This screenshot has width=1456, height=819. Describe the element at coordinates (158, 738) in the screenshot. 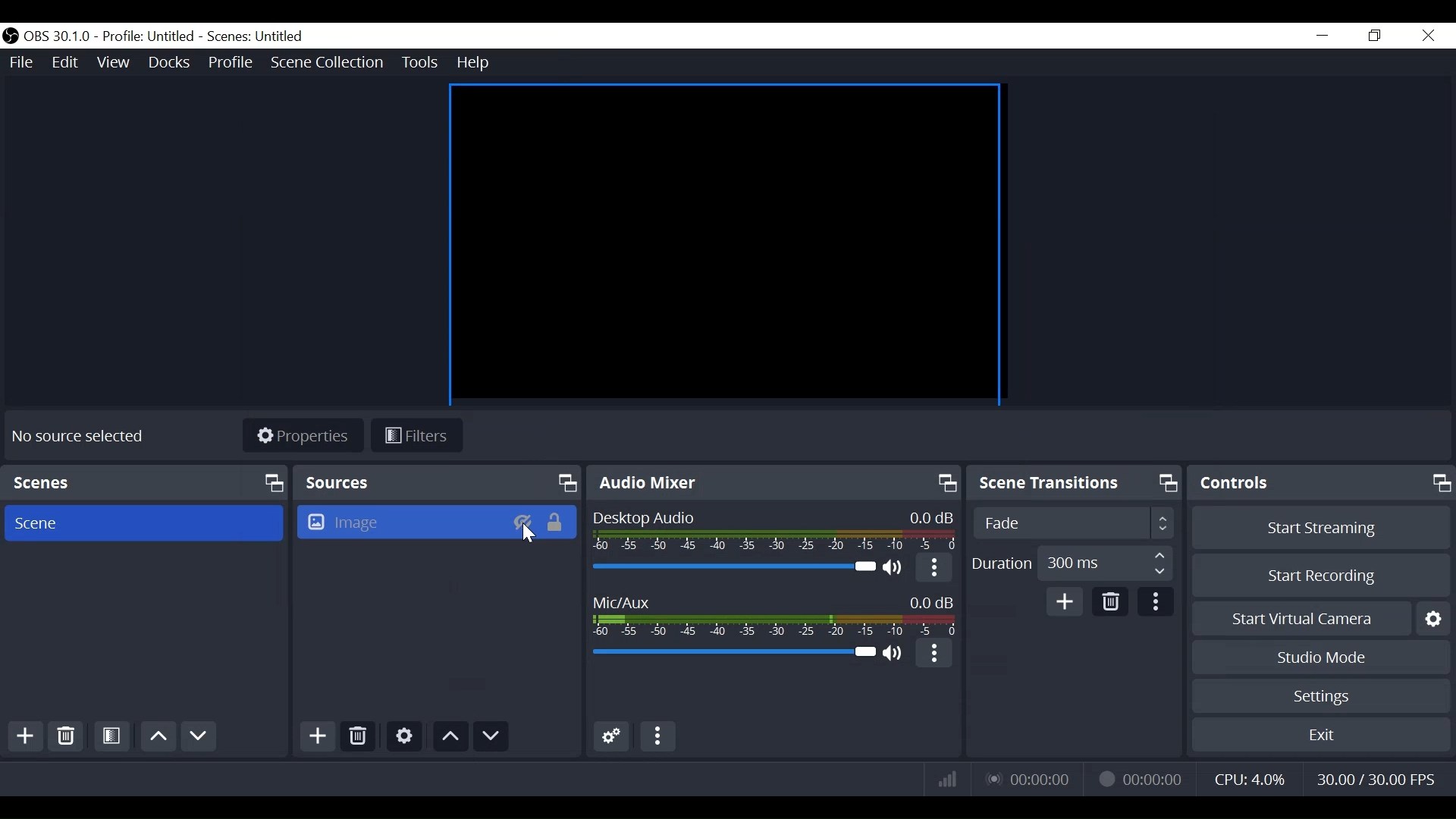

I see `Move up` at that location.